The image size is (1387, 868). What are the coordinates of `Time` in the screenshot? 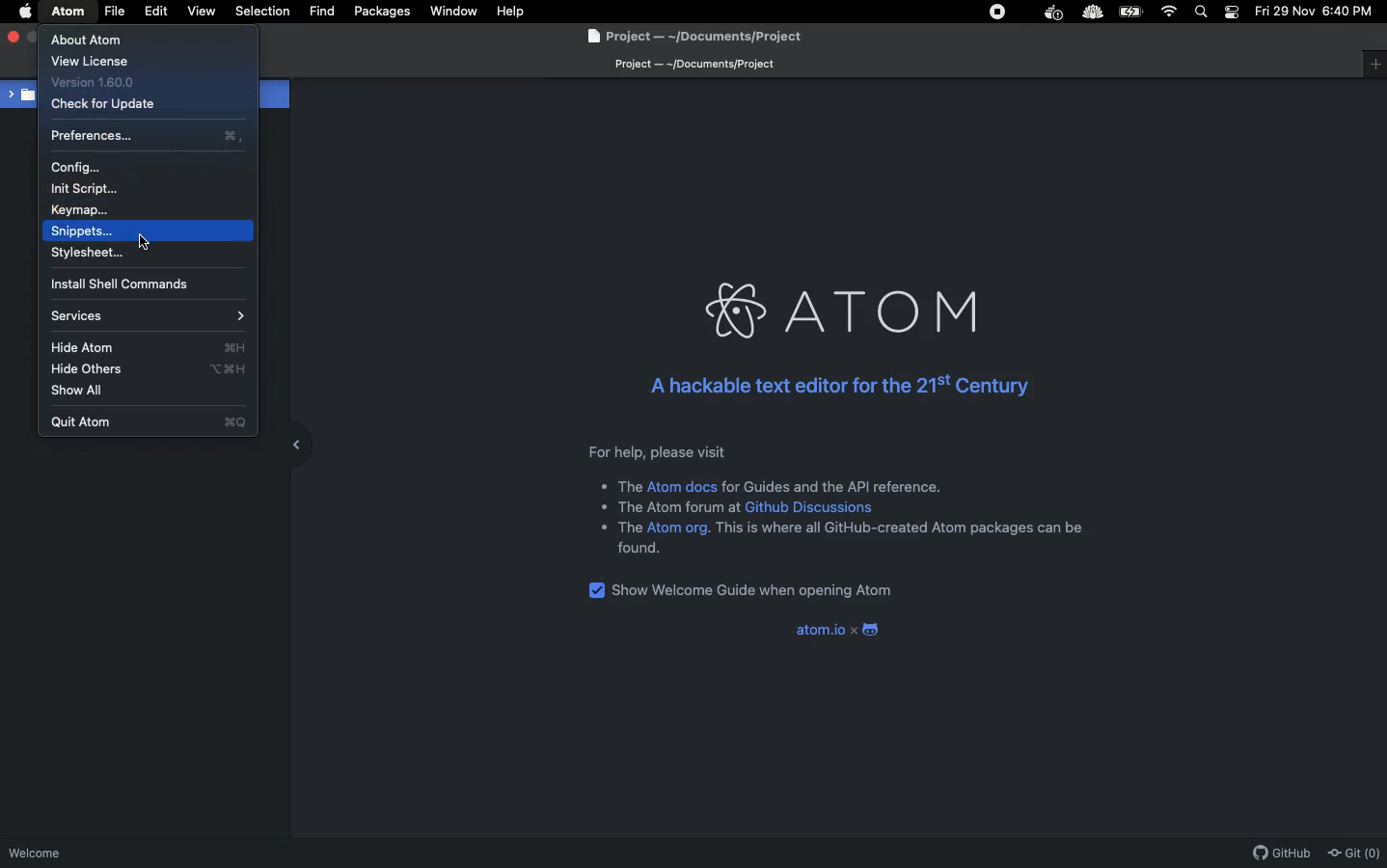 It's located at (1352, 12).